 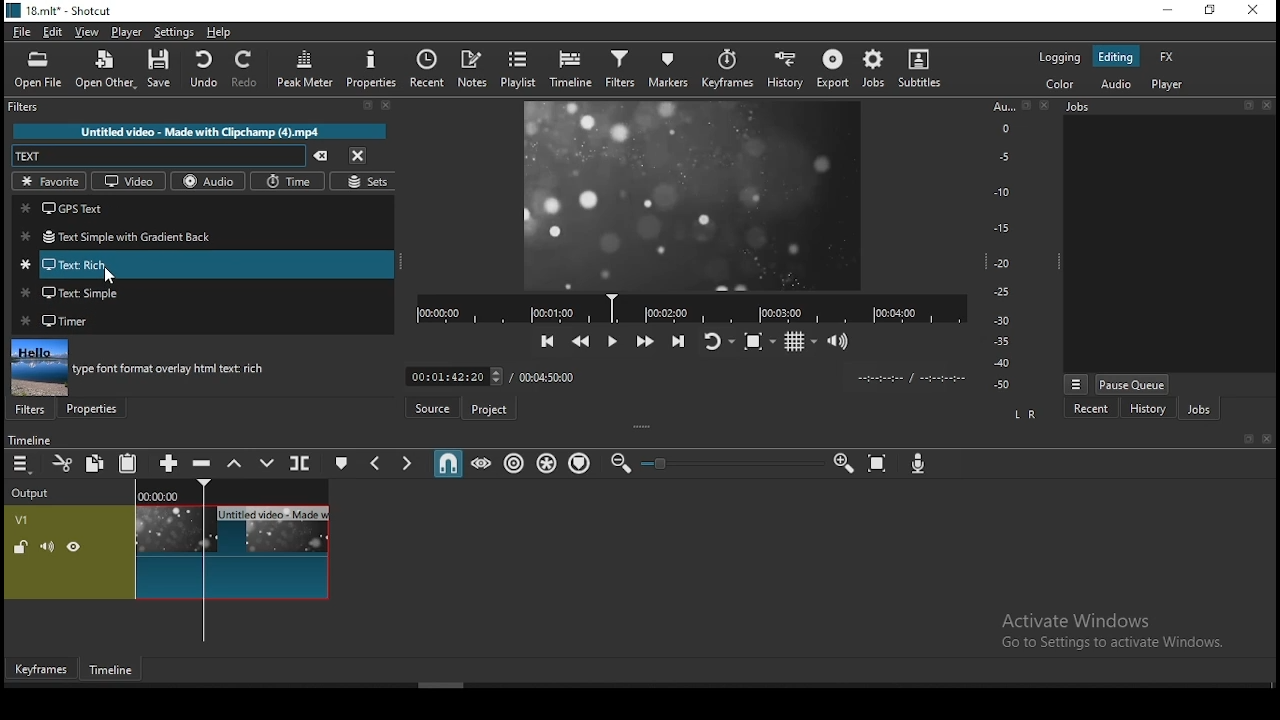 What do you see at coordinates (305, 68) in the screenshot?
I see `peak meter` at bounding box center [305, 68].